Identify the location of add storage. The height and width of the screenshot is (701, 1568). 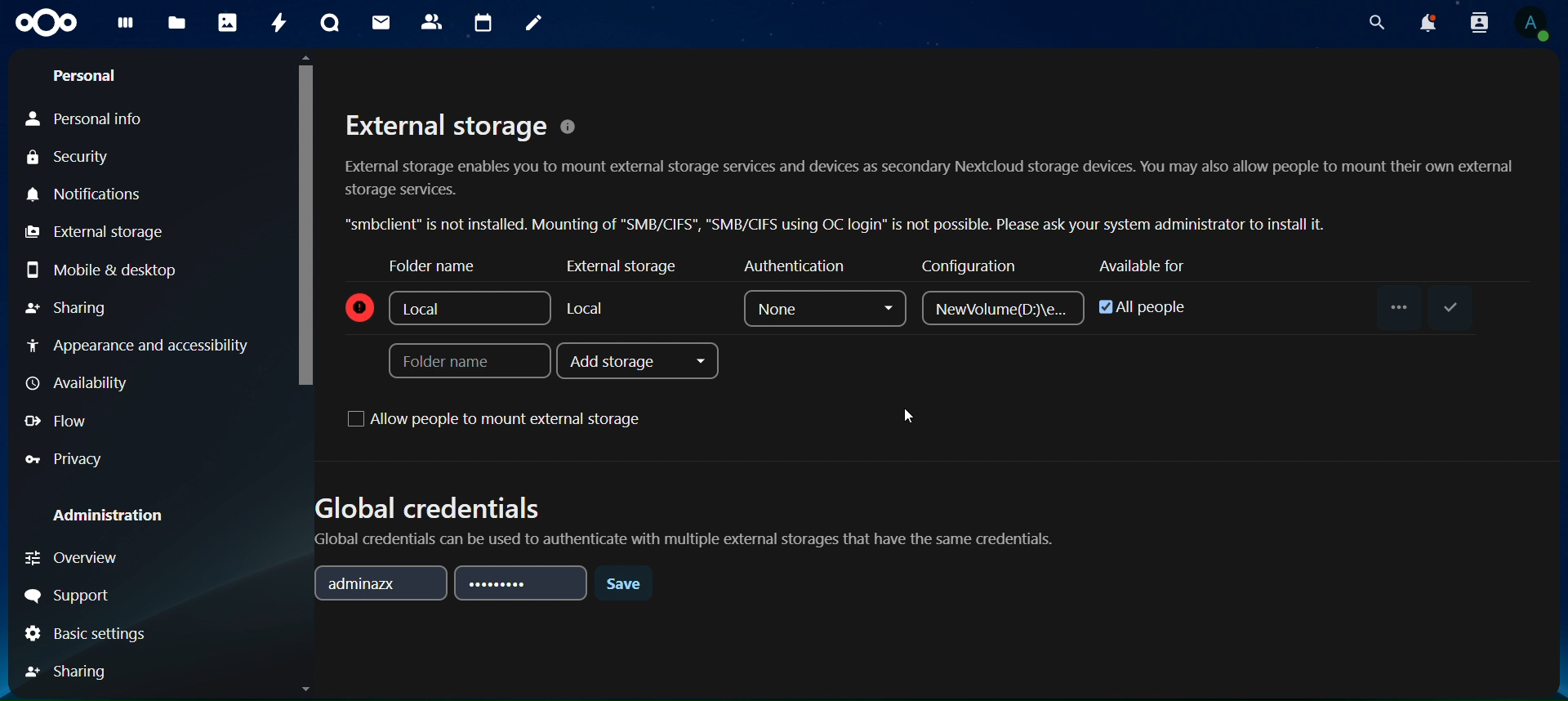
(638, 363).